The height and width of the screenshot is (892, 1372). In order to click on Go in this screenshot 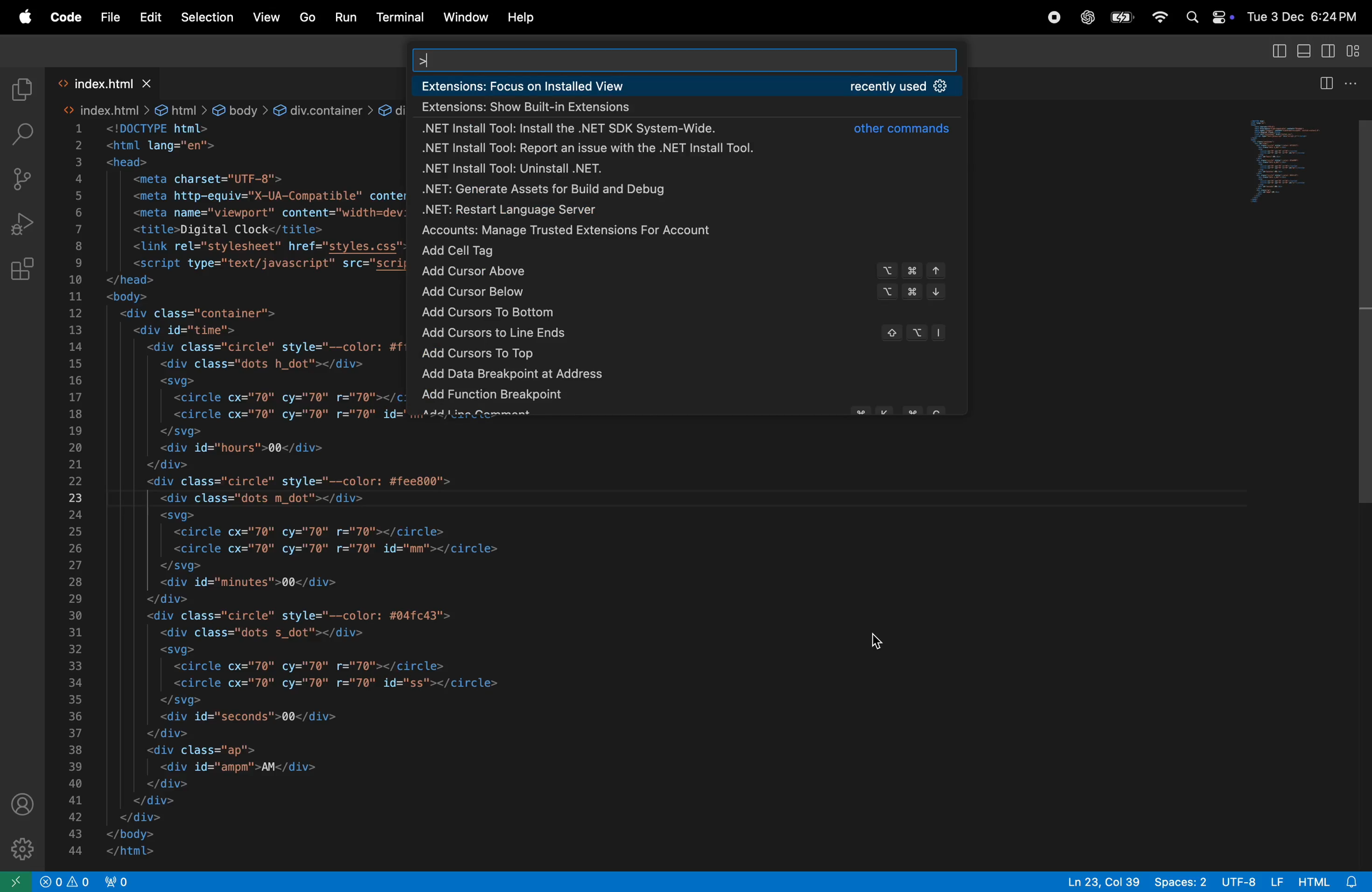, I will do `click(308, 18)`.